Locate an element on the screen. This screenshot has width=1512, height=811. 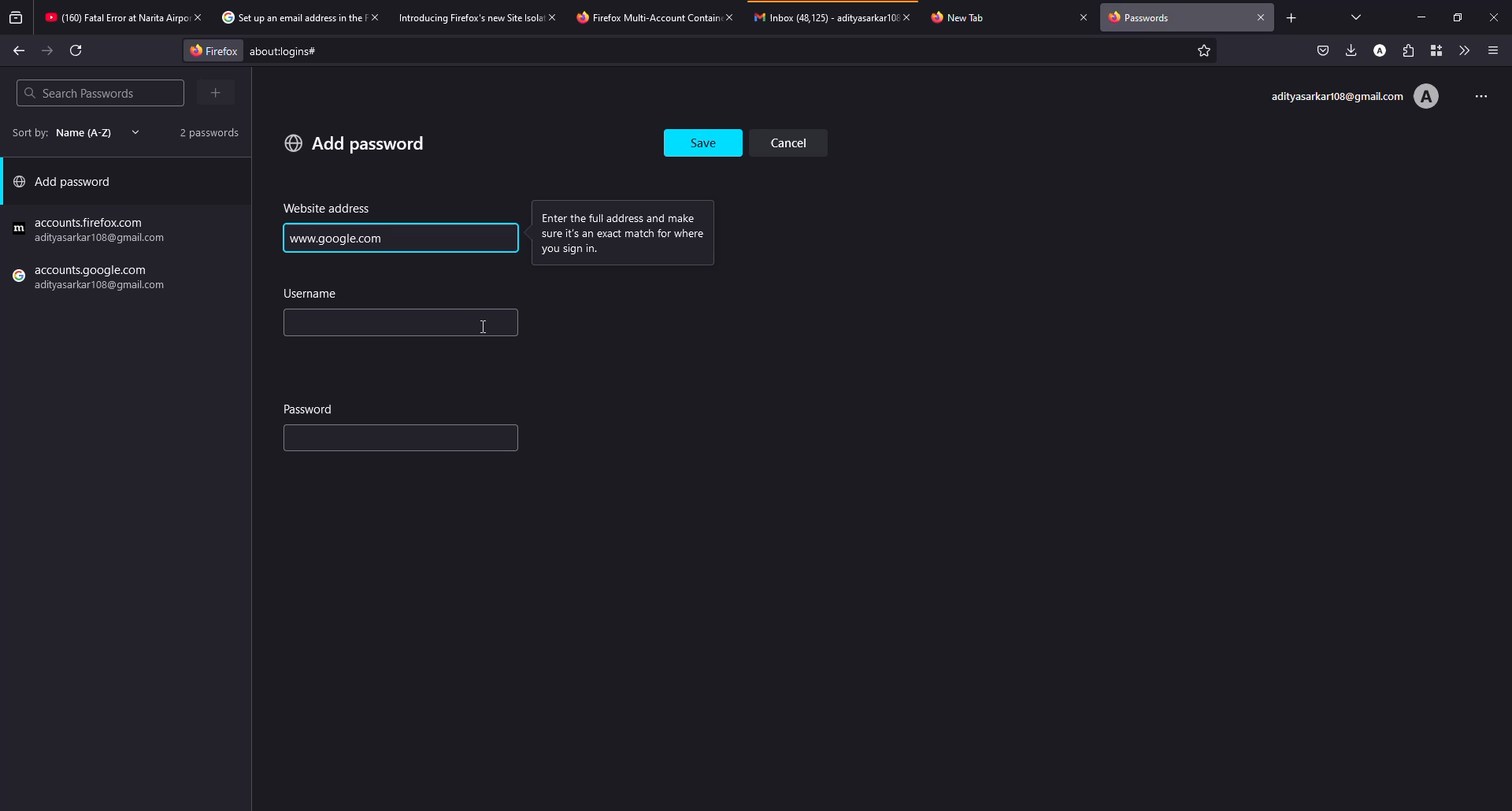
account is located at coordinates (1382, 50).